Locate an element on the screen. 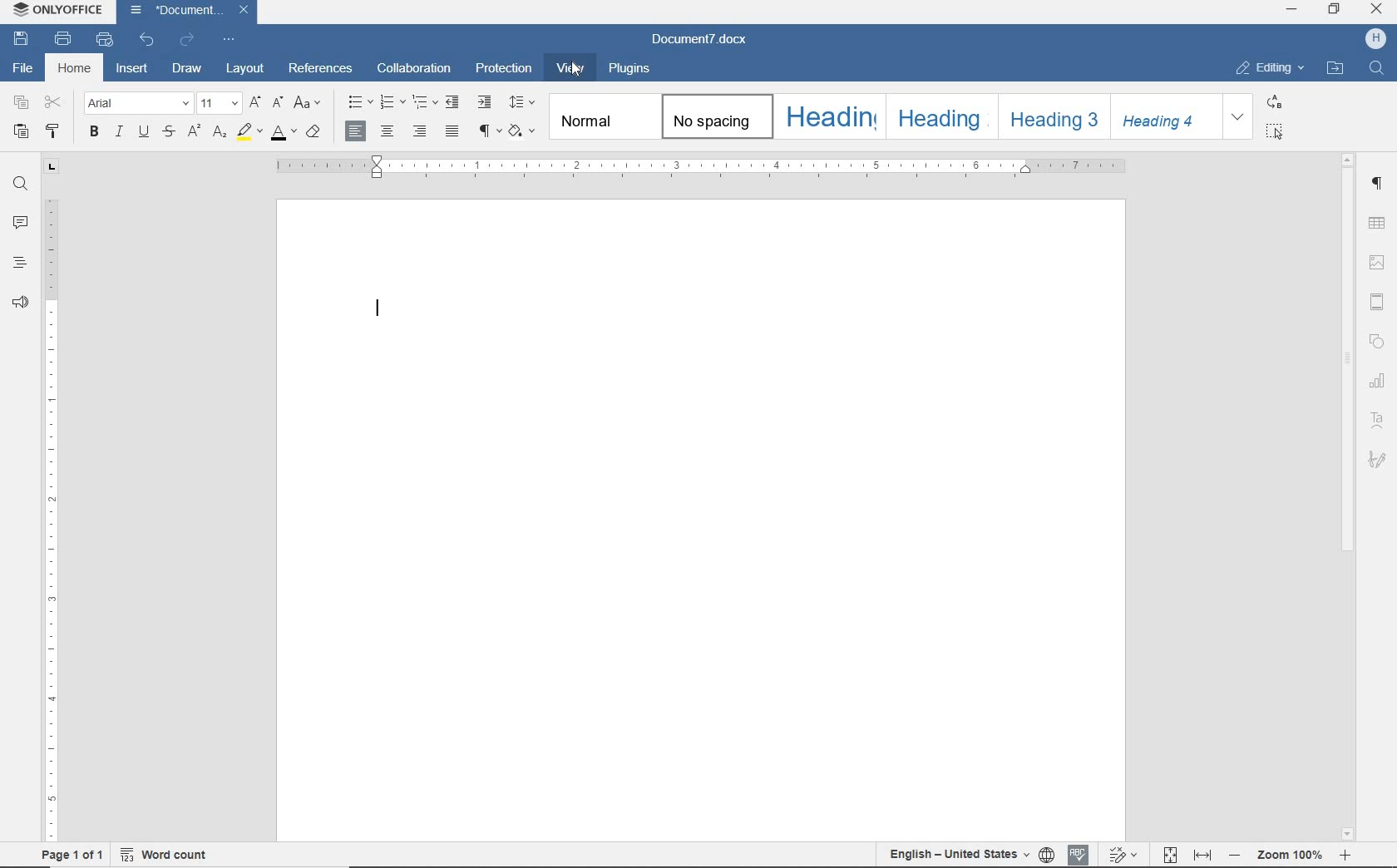  CHART is located at coordinates (1380, 380).